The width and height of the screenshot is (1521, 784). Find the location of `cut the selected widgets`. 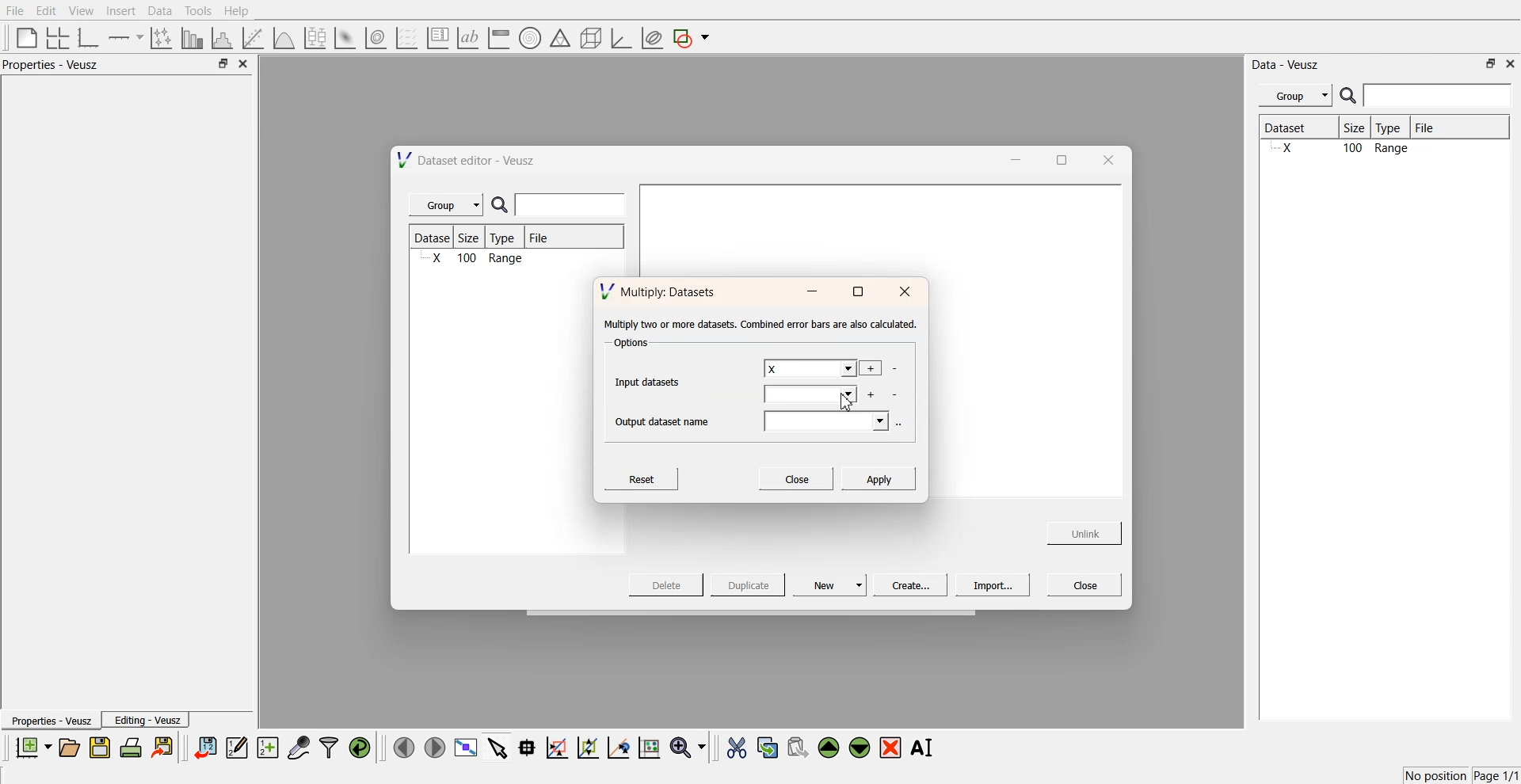

cut the selected widgets is located at coordinates (735, 748).